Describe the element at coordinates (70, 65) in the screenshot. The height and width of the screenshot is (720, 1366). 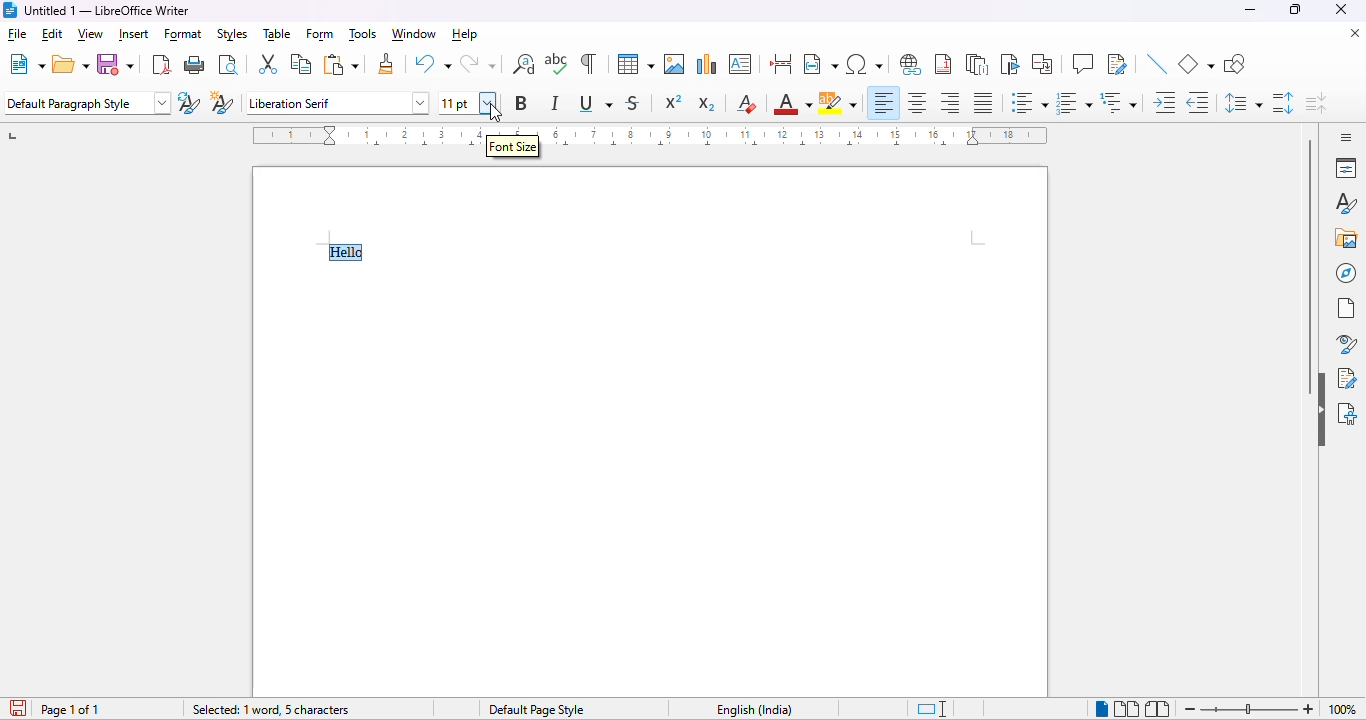
I see `open` at that location.